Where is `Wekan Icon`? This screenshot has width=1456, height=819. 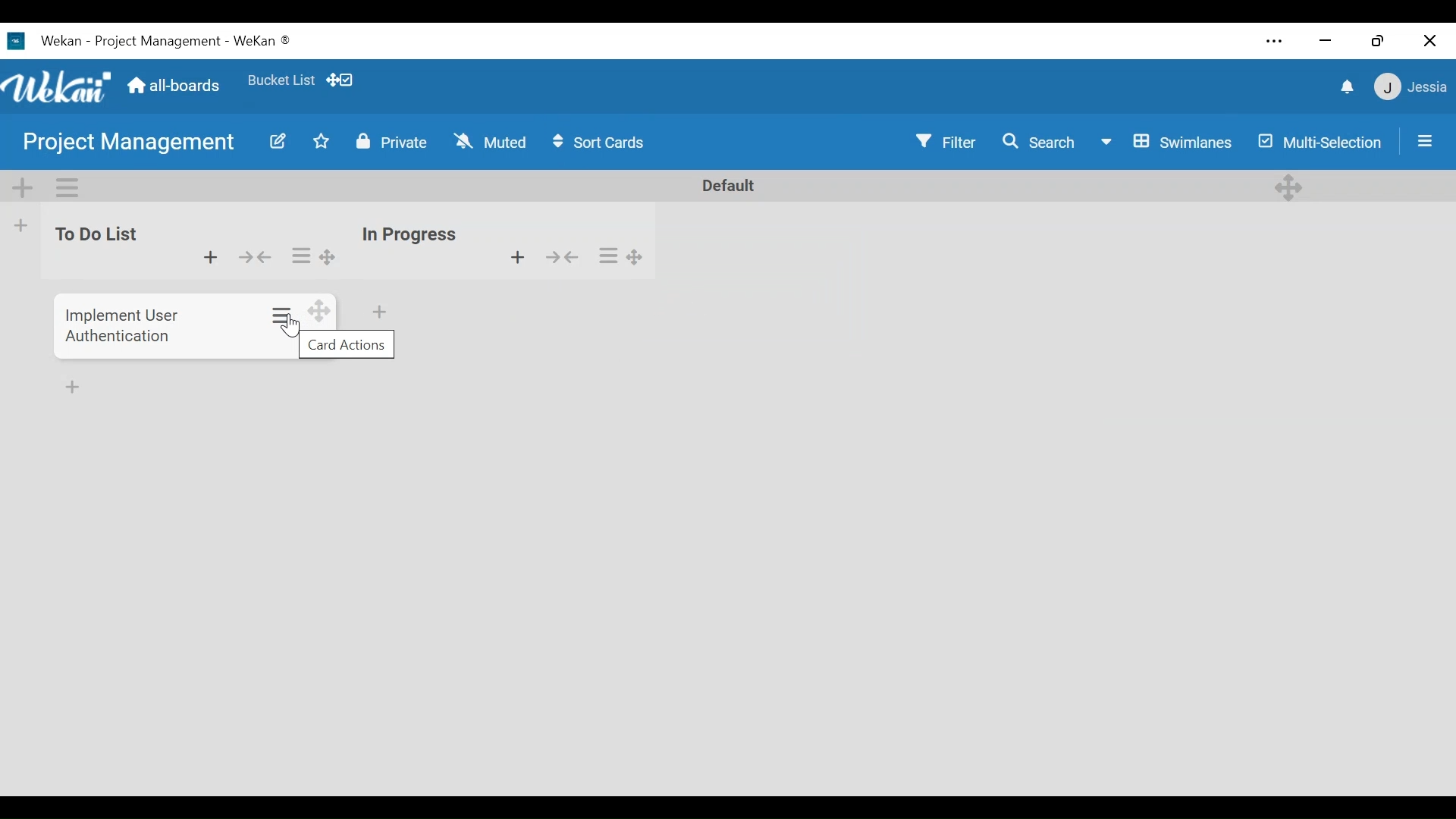
Wekan Icon is located at coordinates (61, 86).